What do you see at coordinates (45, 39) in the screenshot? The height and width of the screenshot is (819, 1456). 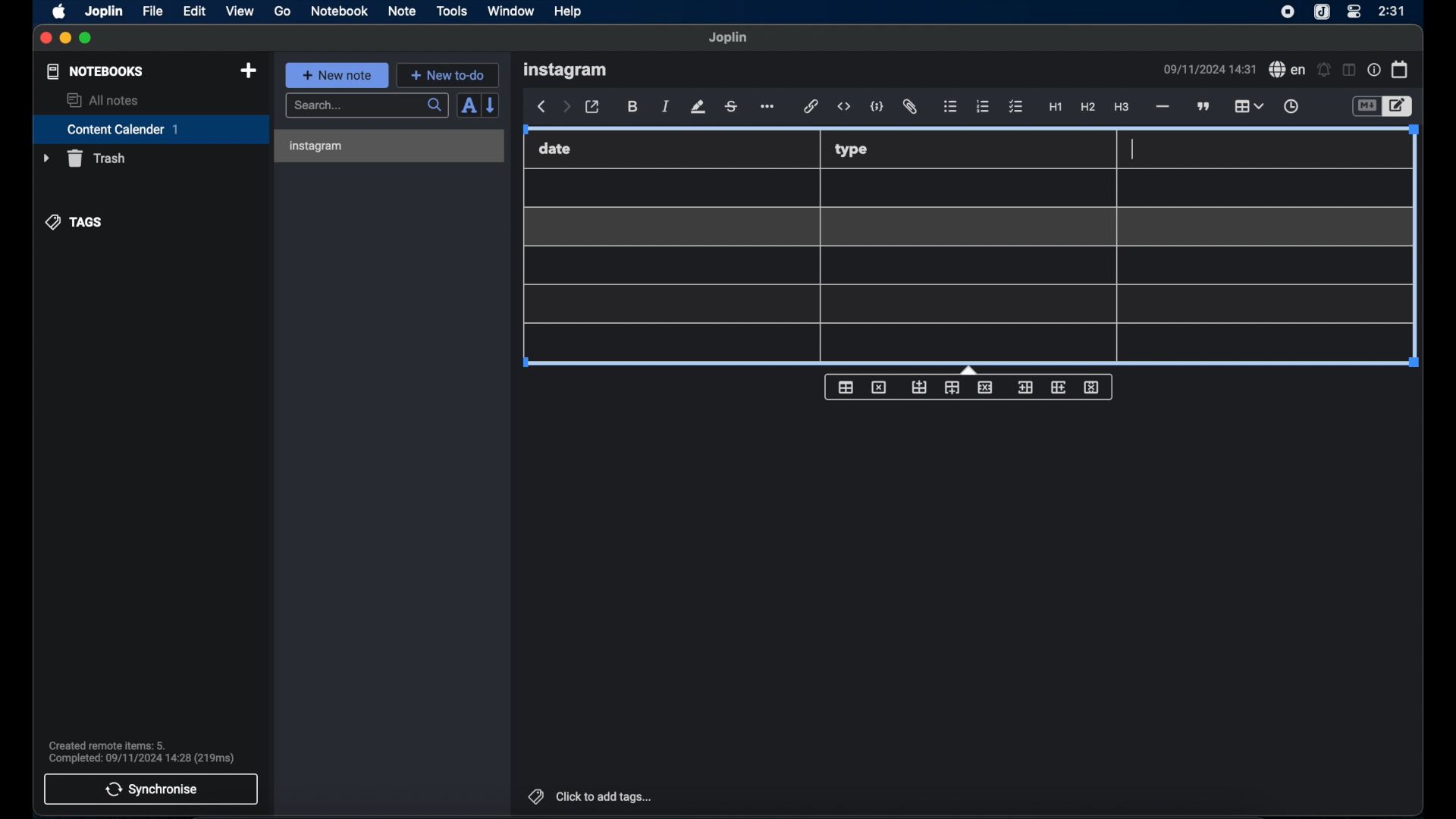 I see `close` at bounding box center [45, 39].